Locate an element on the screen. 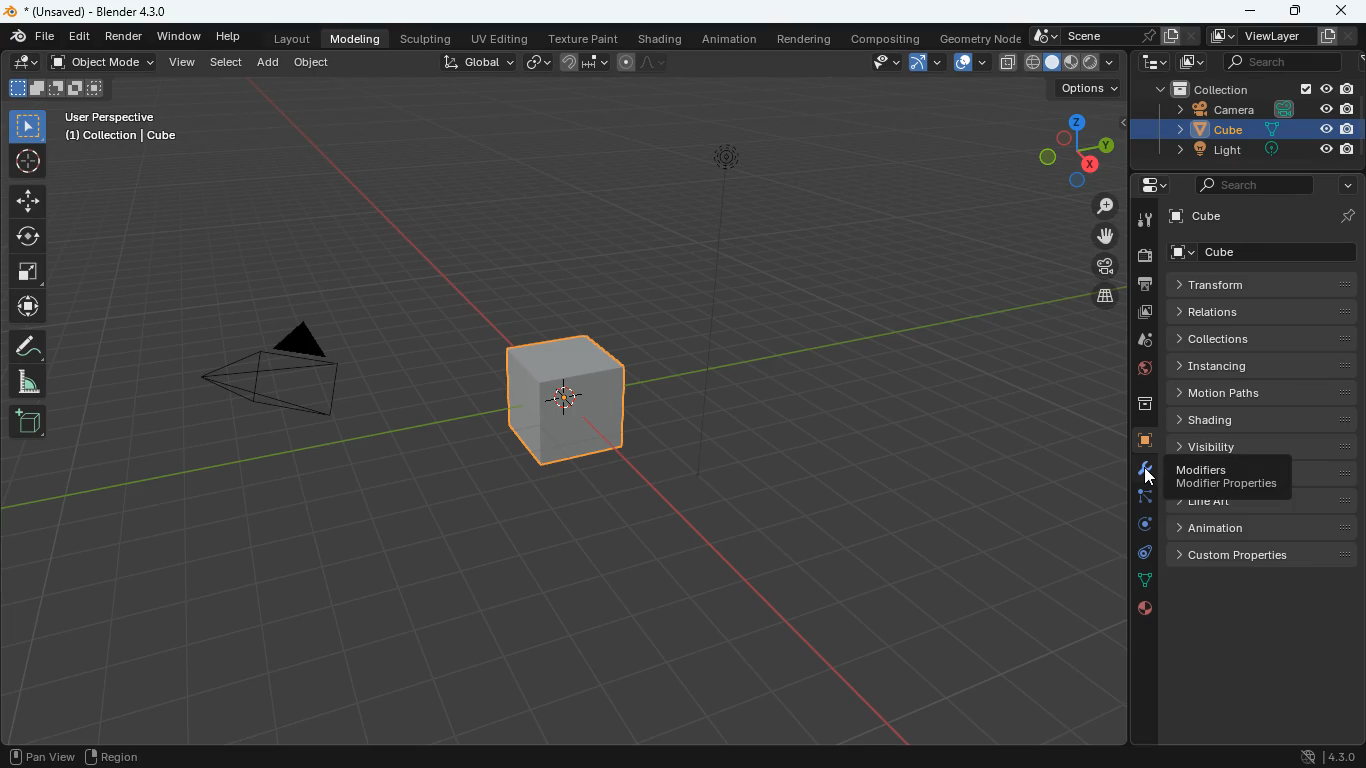 Image resolution: width=1366 pixels, height=768 pixels. visibility is located at coordinates (1265, 444).